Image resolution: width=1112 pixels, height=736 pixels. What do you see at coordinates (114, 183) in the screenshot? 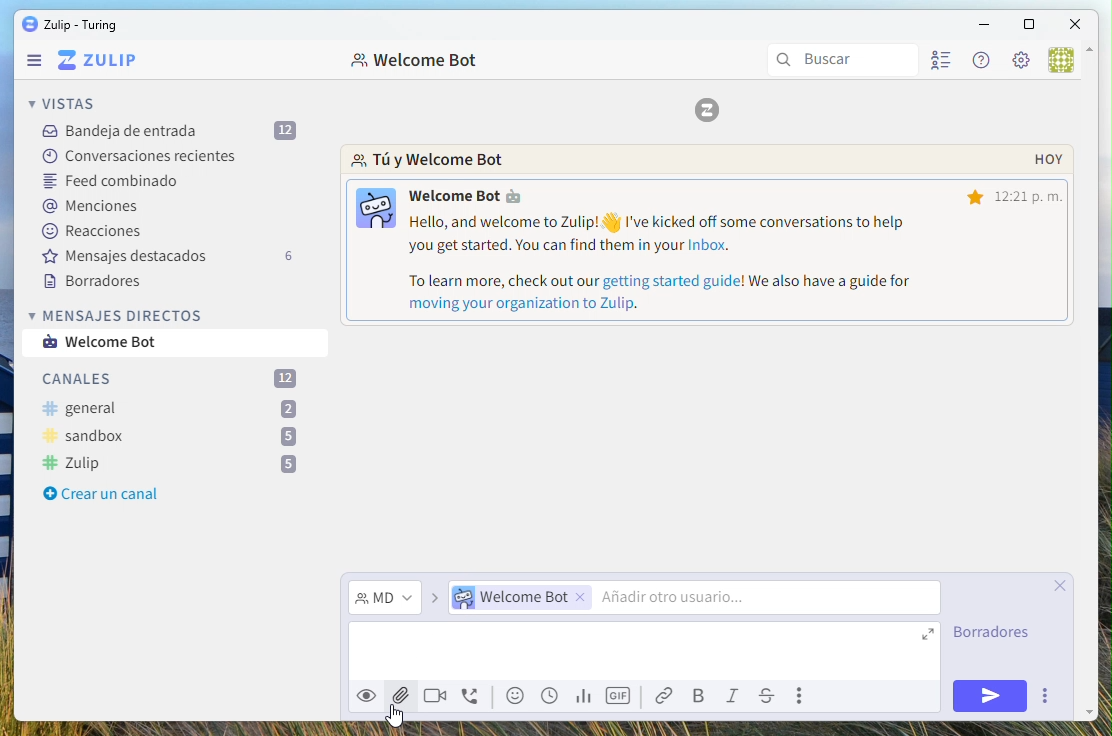
I see `Feed` at bounding box center [114, 183].